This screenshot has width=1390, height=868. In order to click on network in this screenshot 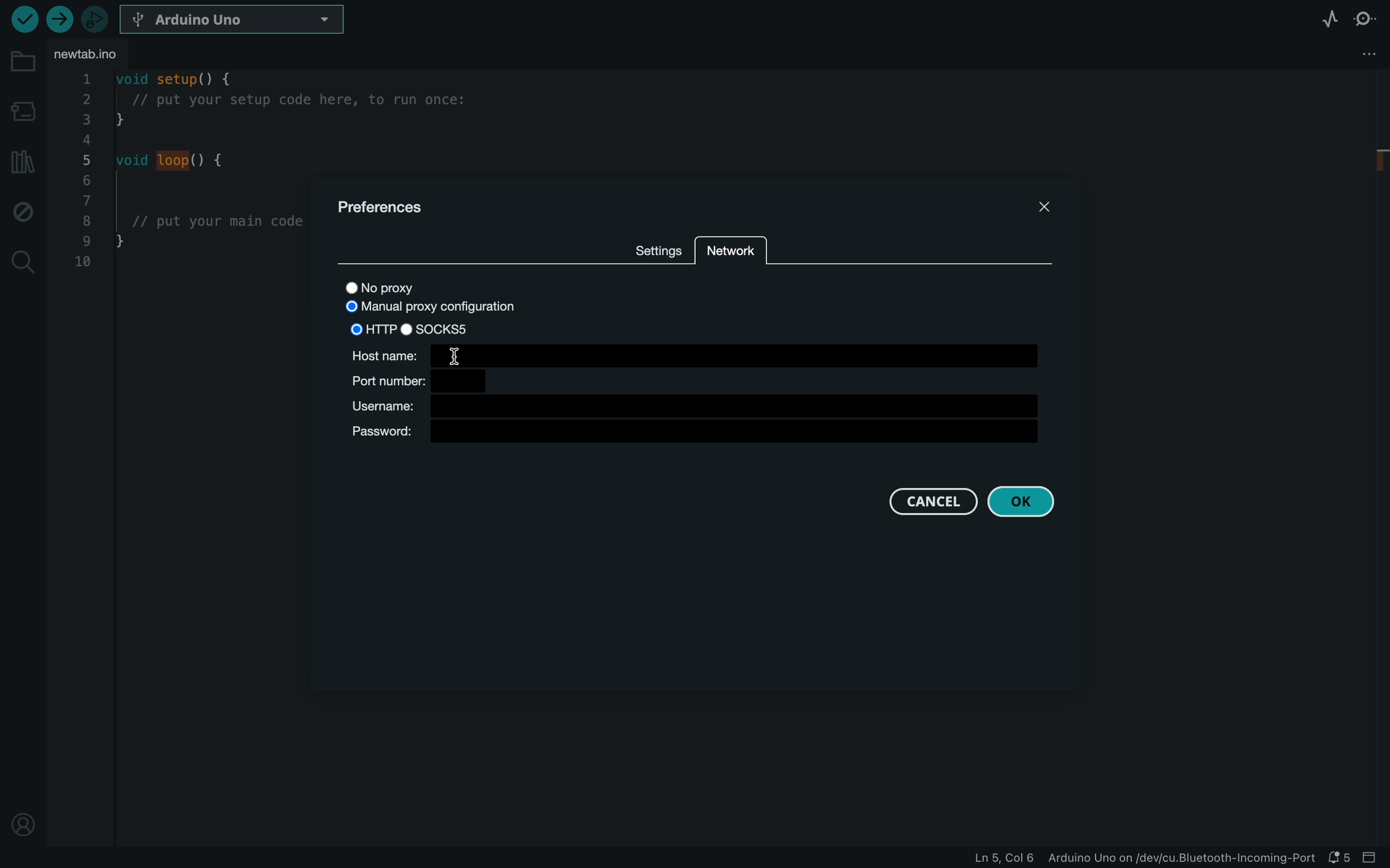, I will do `click(731, 259)`.